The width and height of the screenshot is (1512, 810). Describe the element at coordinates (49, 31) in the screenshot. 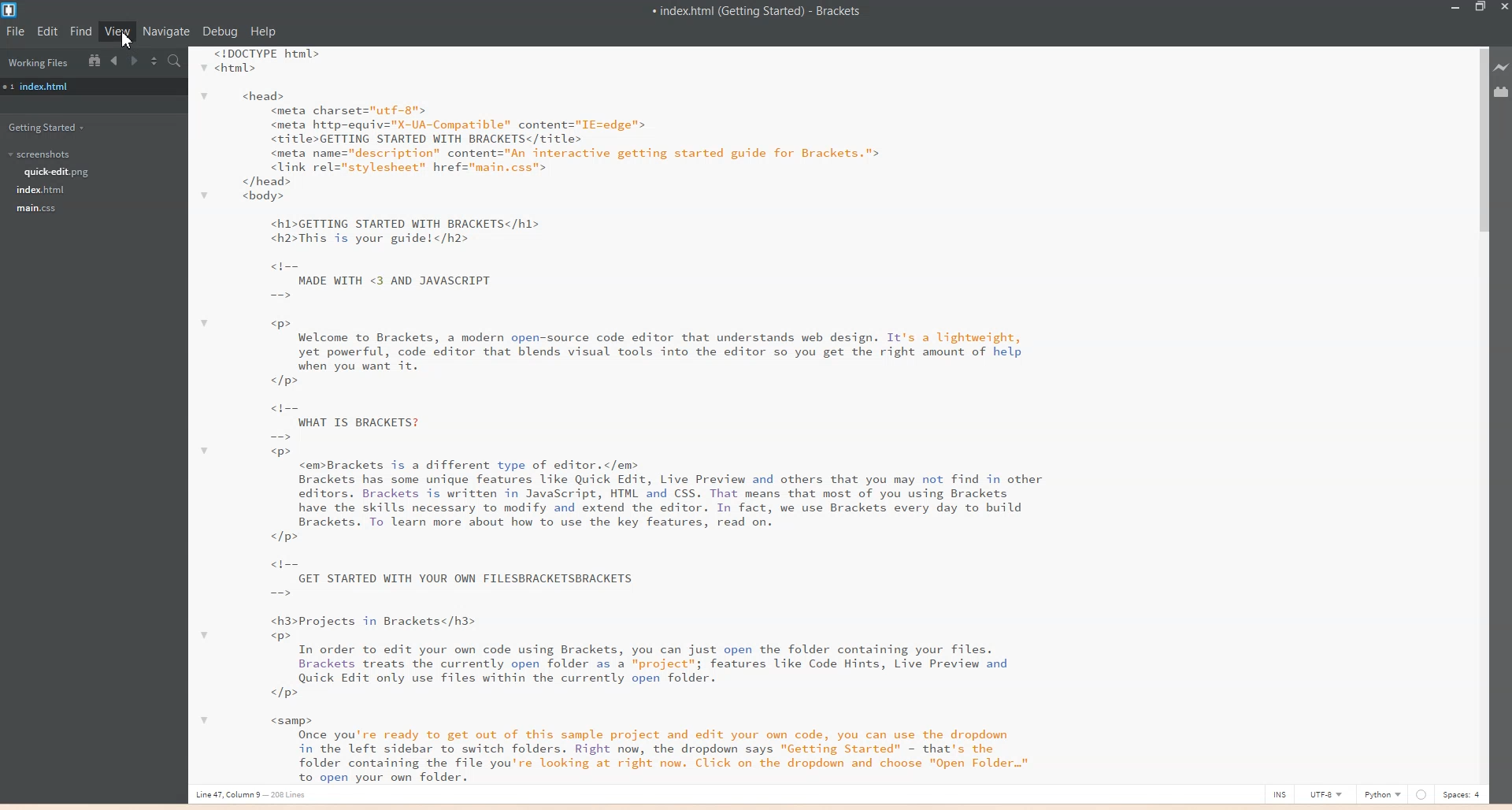

I see `Edit` at that location.